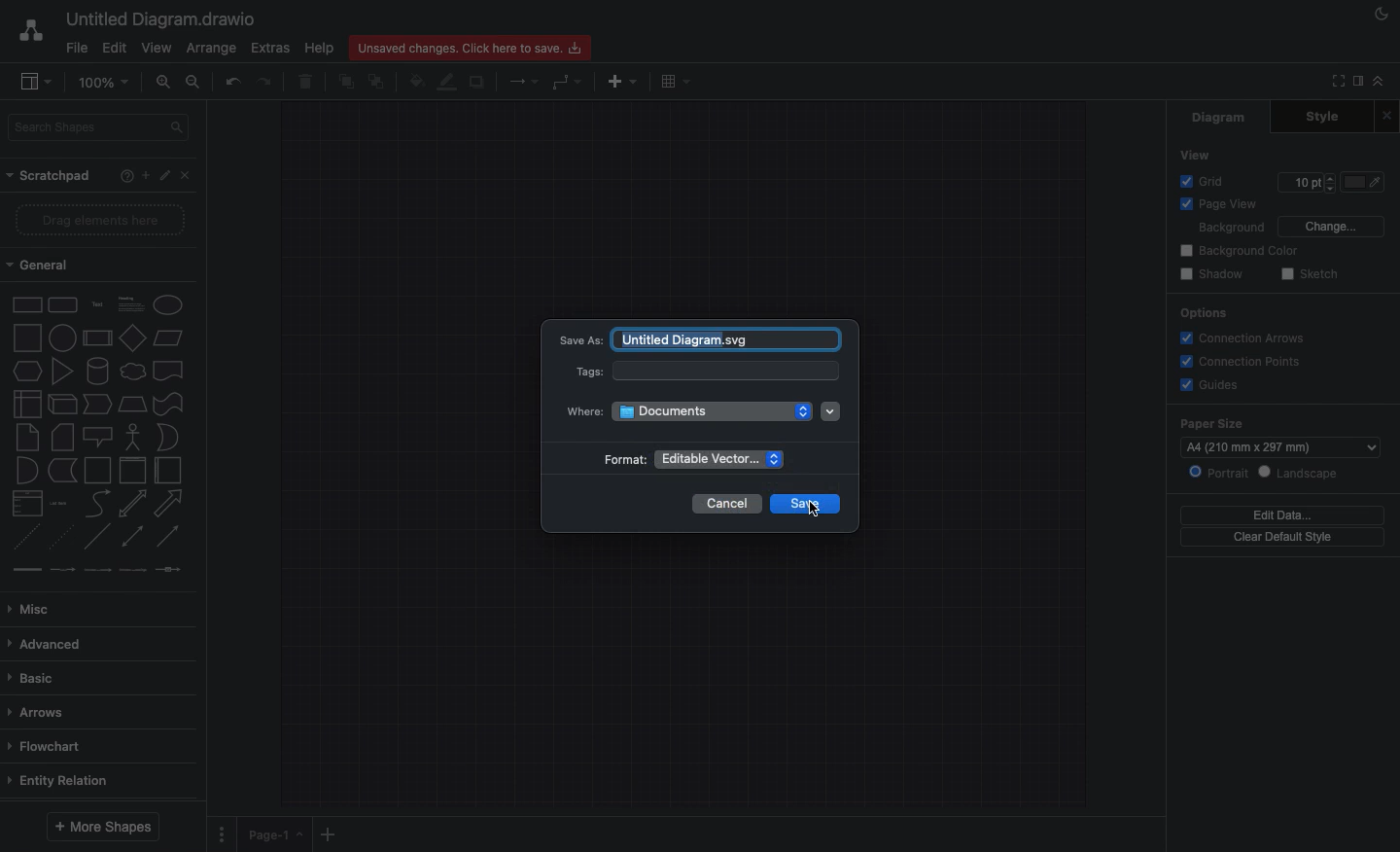  Describe the element at coordinates (1356, 83) in the screenshot. I see `Sidebar` at that location.